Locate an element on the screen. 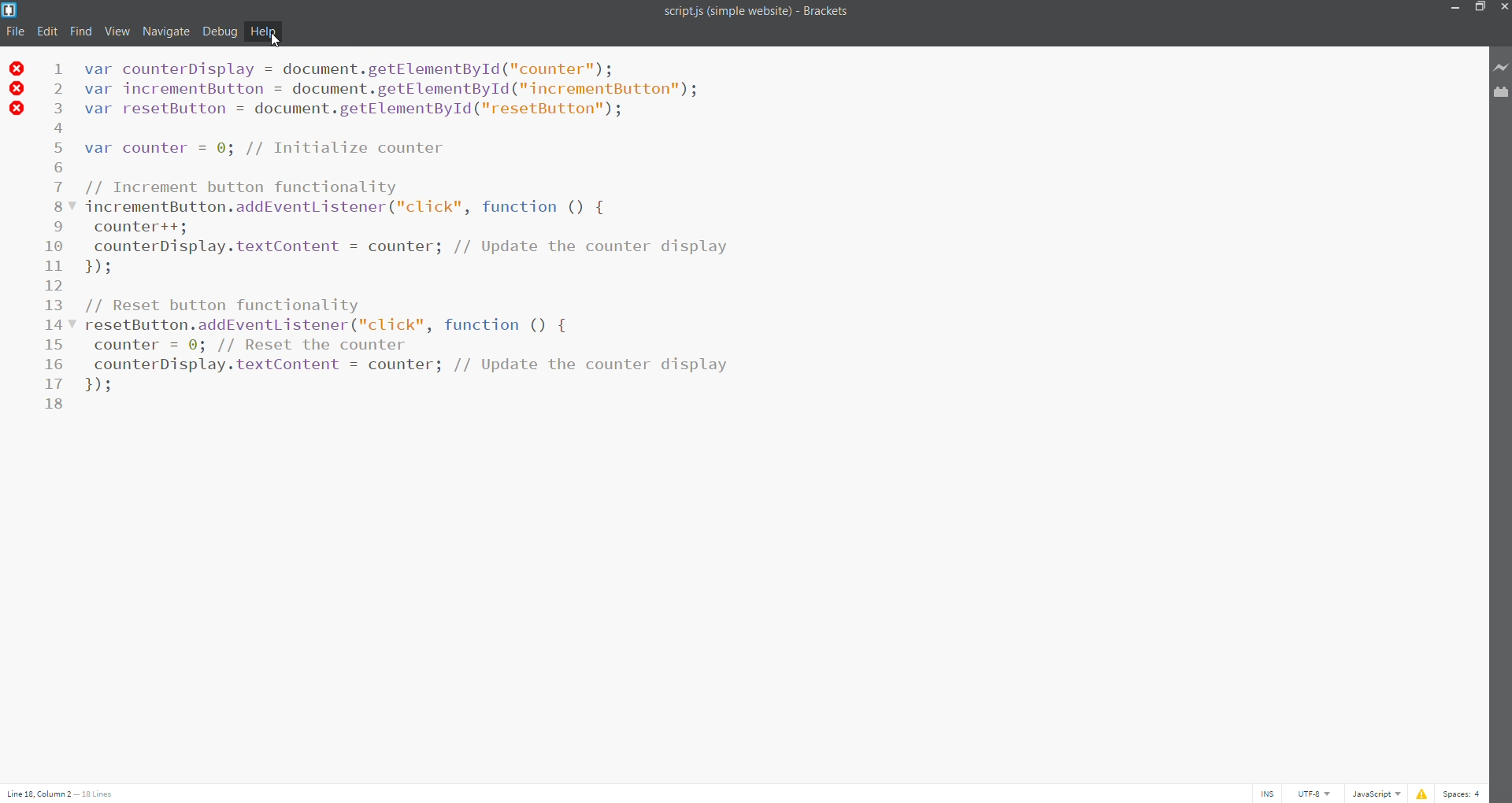 This screenshot has height=803, width=1512. space 4 is located at coordinates (1466, 792).